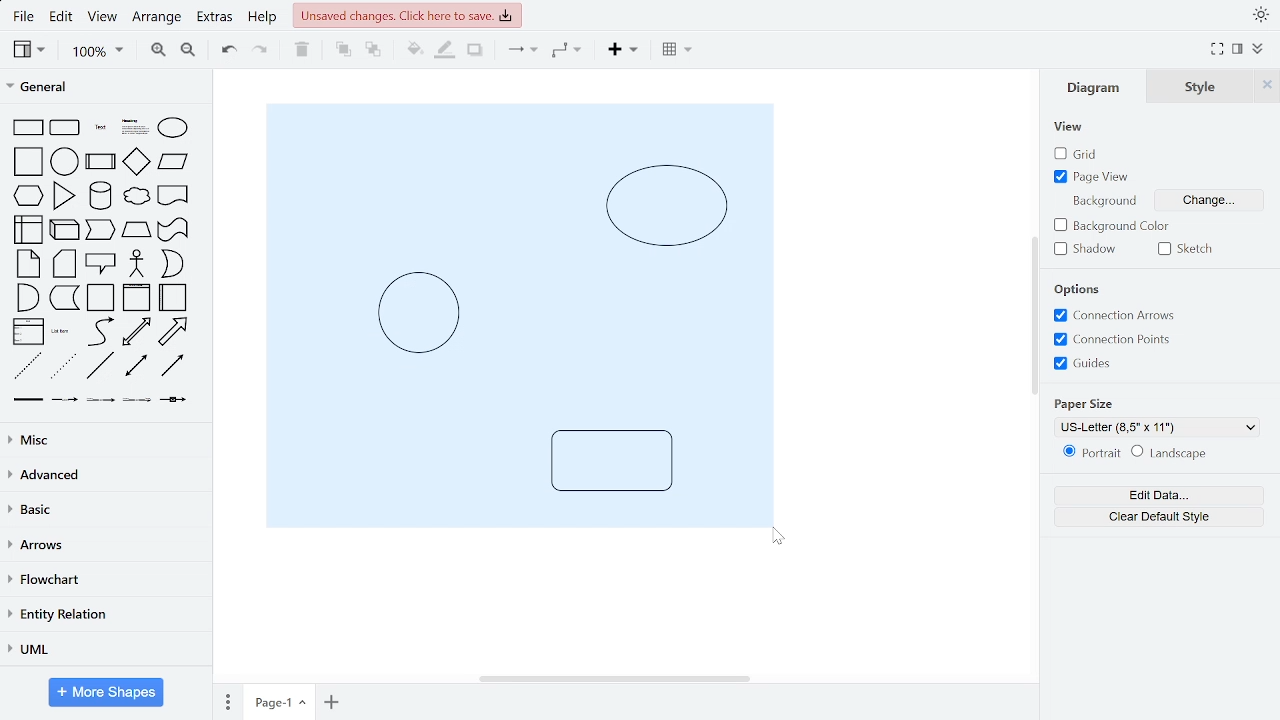 This screenshot has width=1280, height=720. I want to click on view, so click(1069, 127).